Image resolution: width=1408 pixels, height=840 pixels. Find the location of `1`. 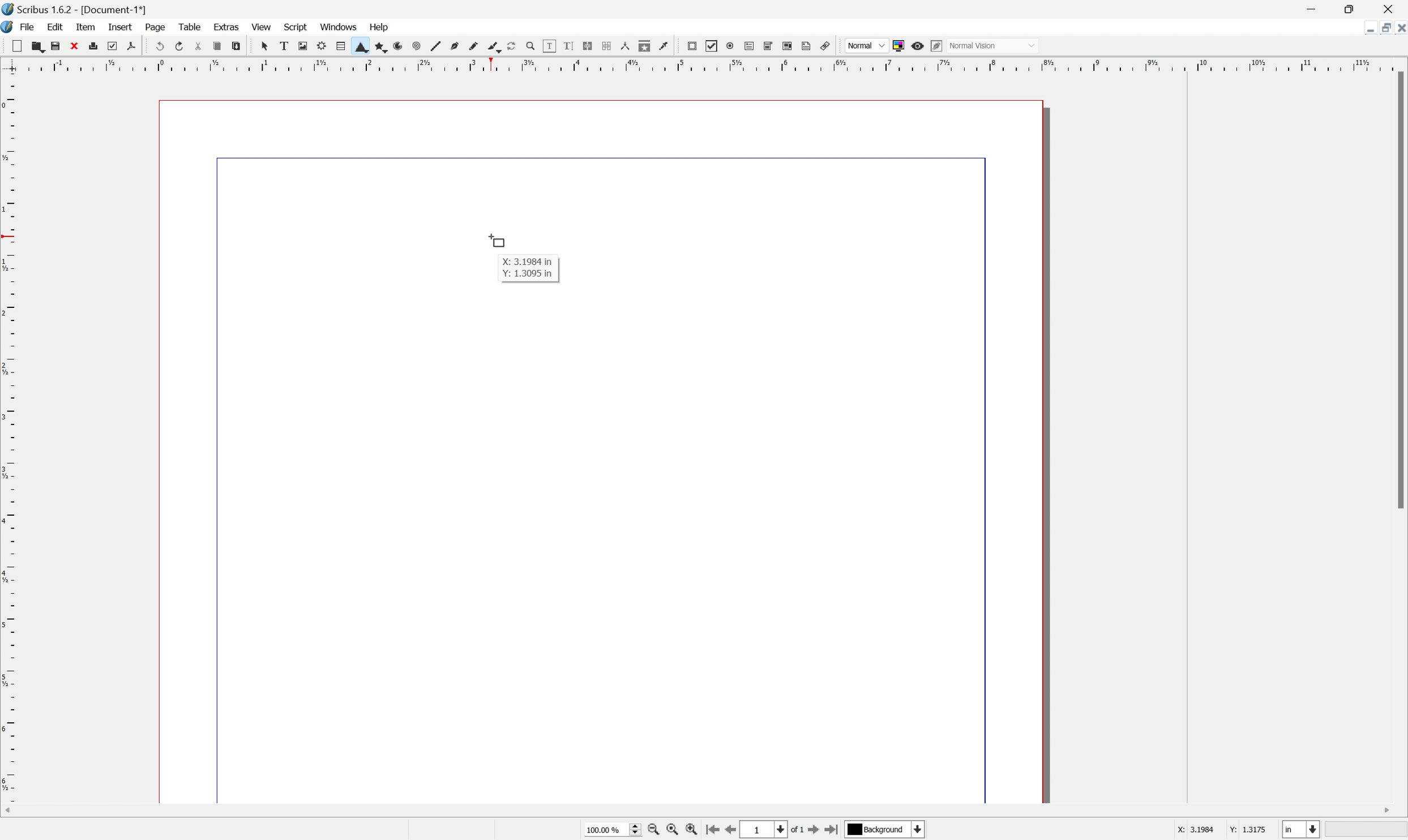

1 is located at coordinates (757, 830).